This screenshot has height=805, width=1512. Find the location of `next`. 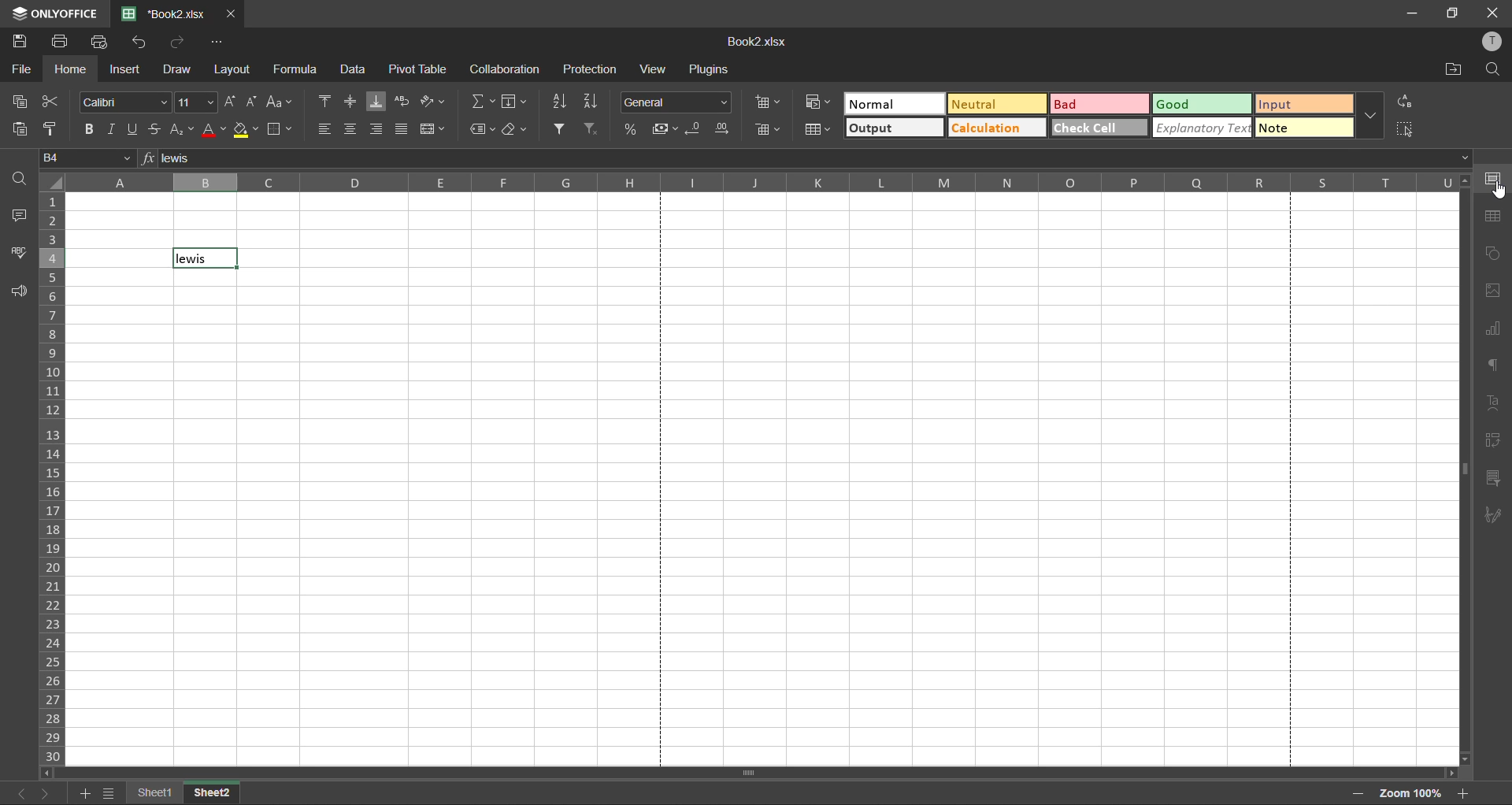

next is located at coordinates (43, 794).